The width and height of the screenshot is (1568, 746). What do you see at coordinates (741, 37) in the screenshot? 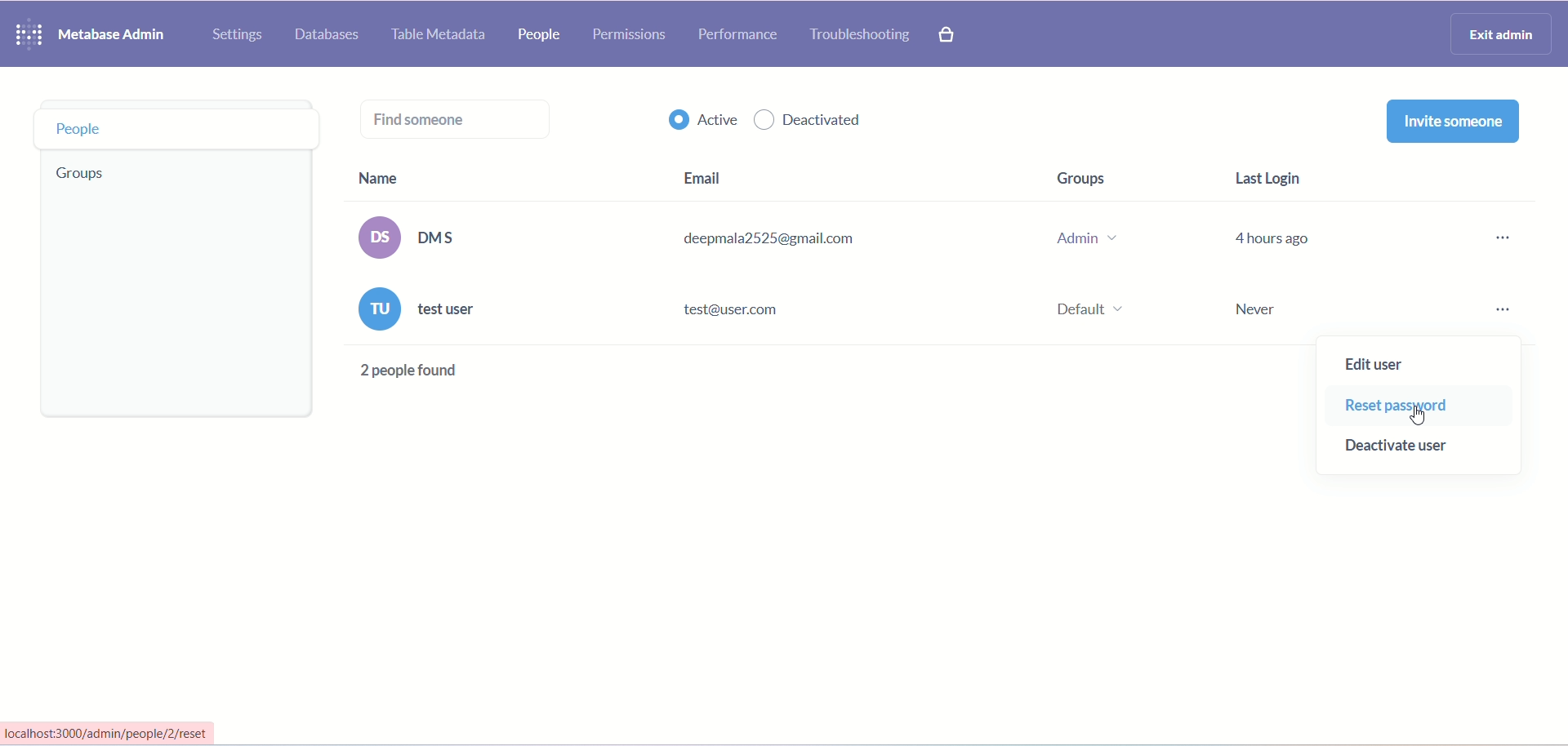
I see `performance` at bounding box center [741, 37].